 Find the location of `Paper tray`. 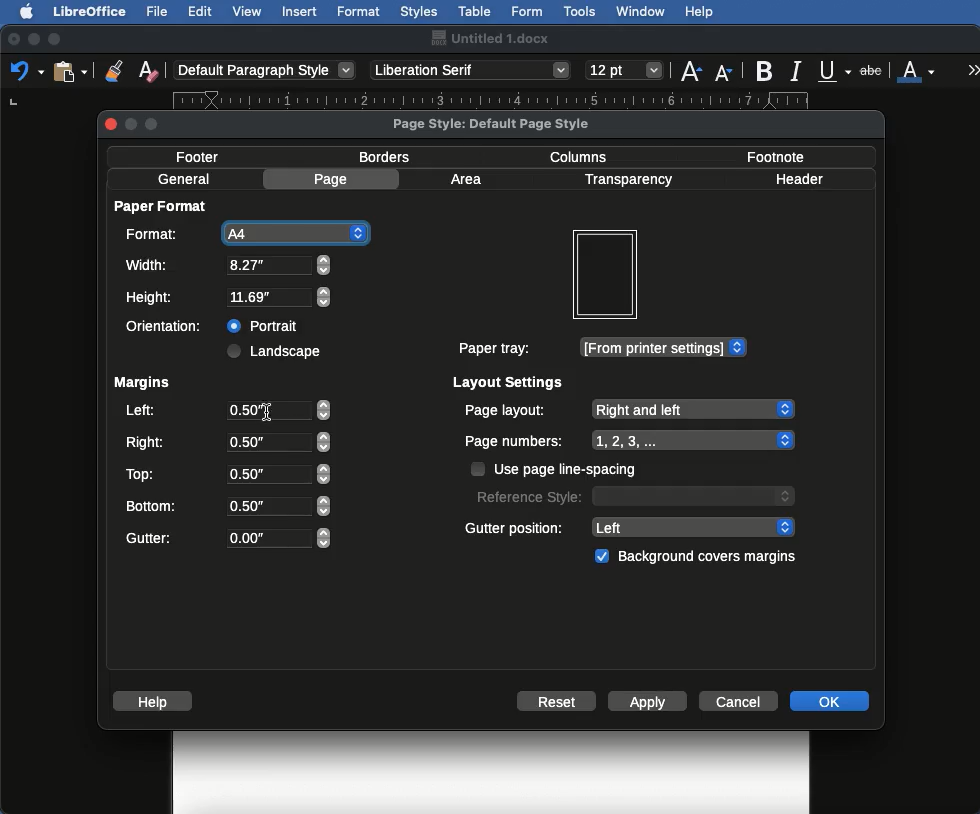

Paper tray is located at coordinates (601, 348).